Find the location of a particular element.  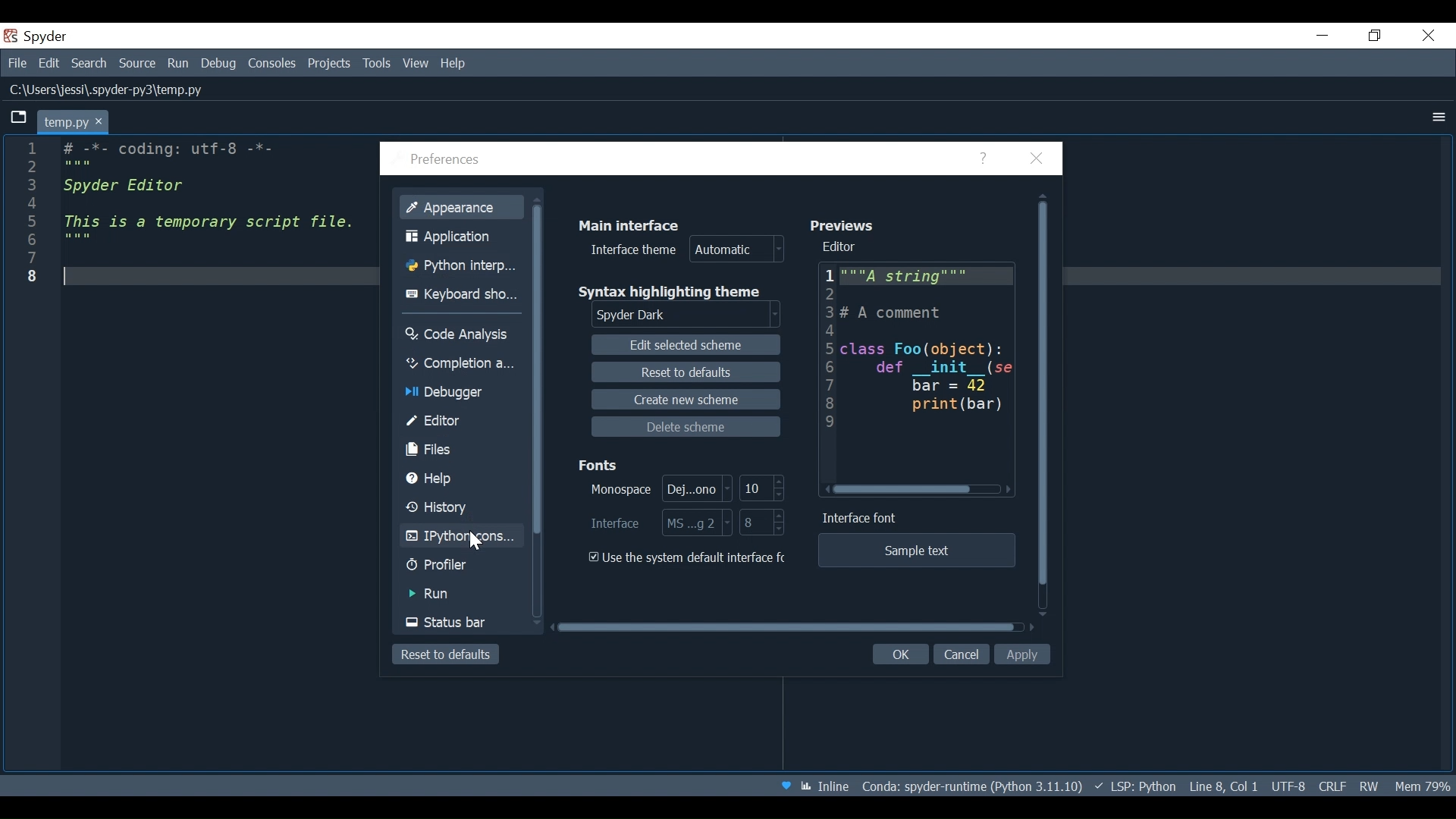

IPython console is located at coordinates (458, 537).